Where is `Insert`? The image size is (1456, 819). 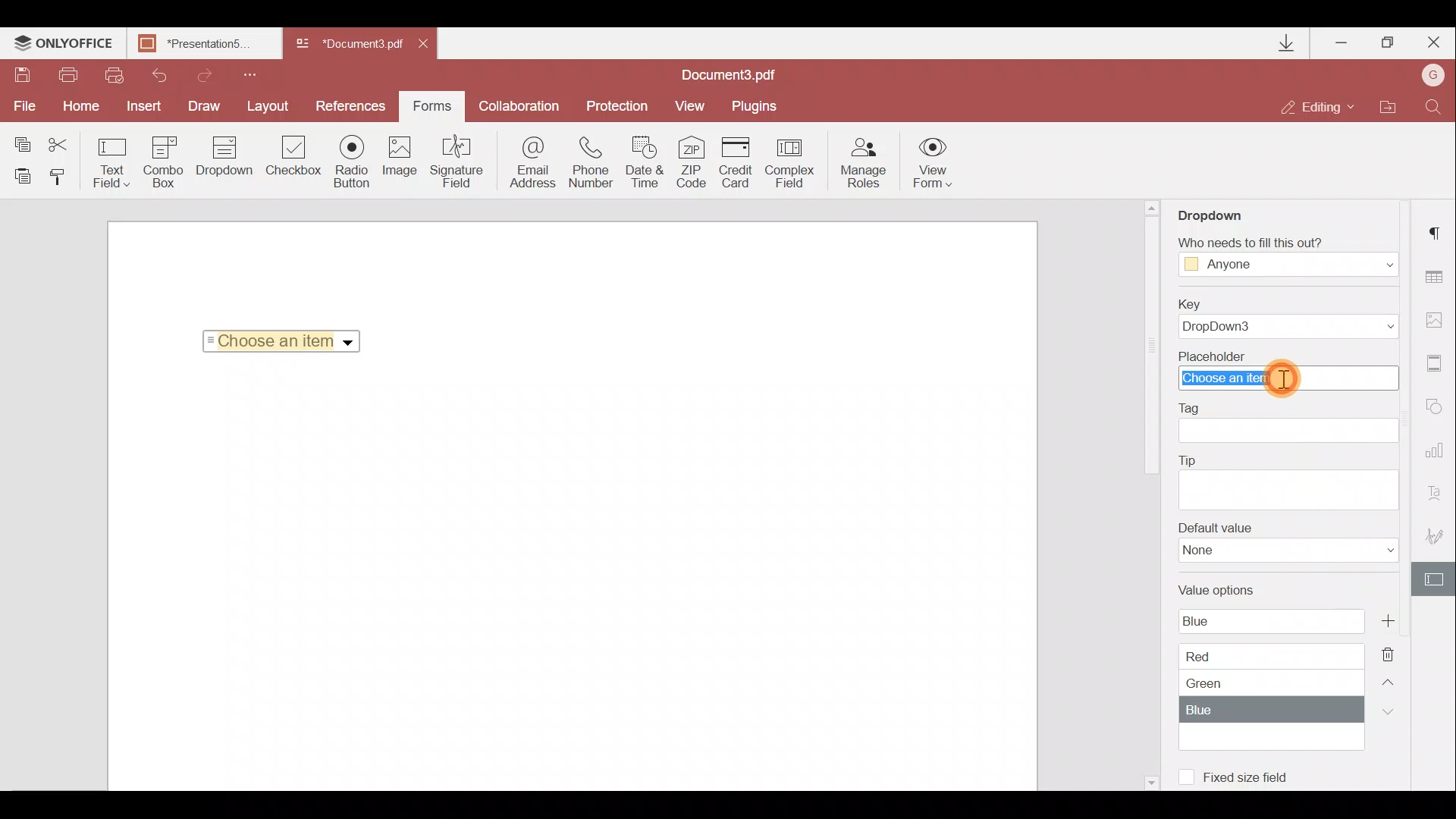
Insert is located at coordinates (147, 106).